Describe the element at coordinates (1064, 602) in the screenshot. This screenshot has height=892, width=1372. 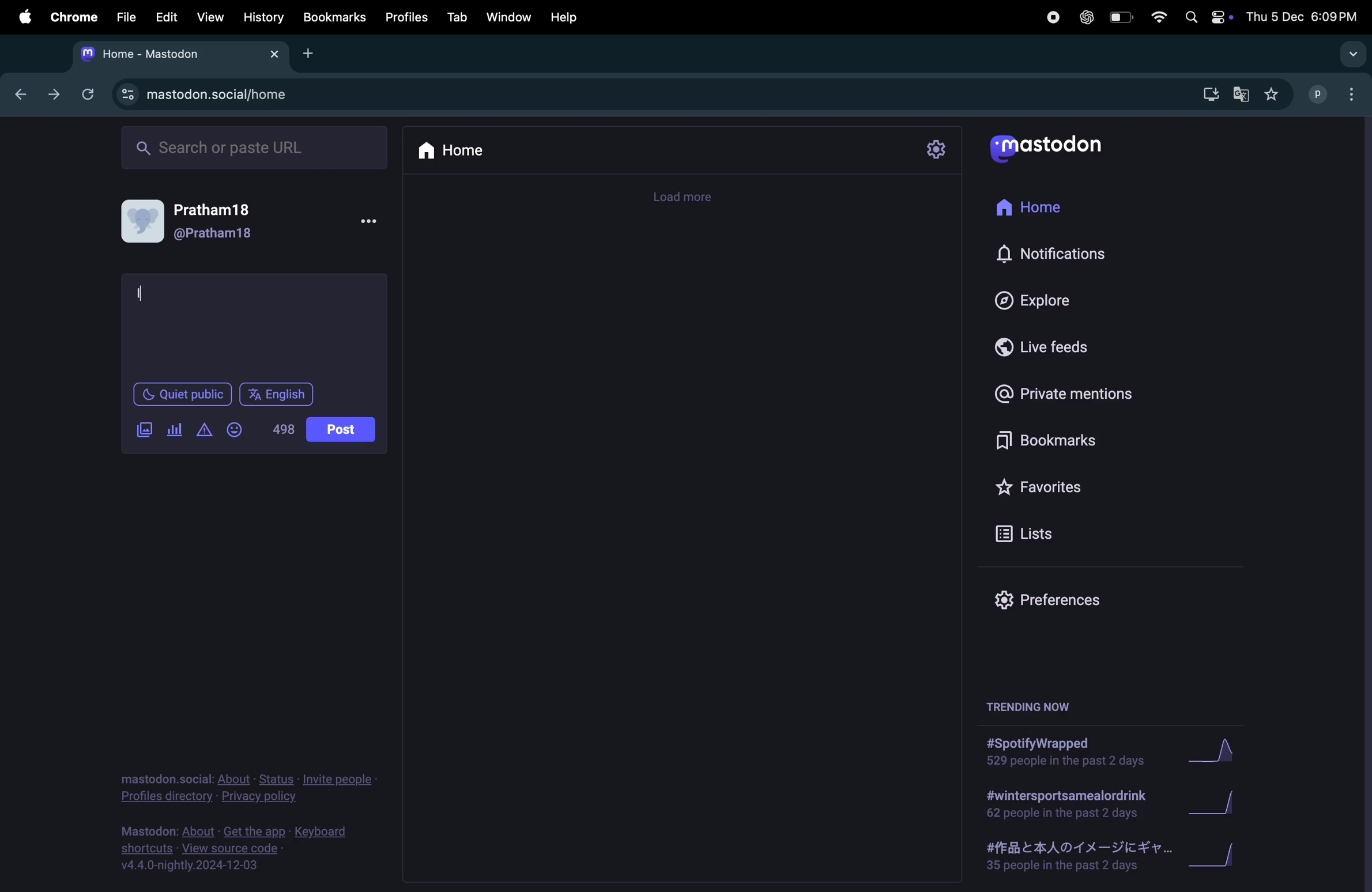
I see `prefences` at that location.